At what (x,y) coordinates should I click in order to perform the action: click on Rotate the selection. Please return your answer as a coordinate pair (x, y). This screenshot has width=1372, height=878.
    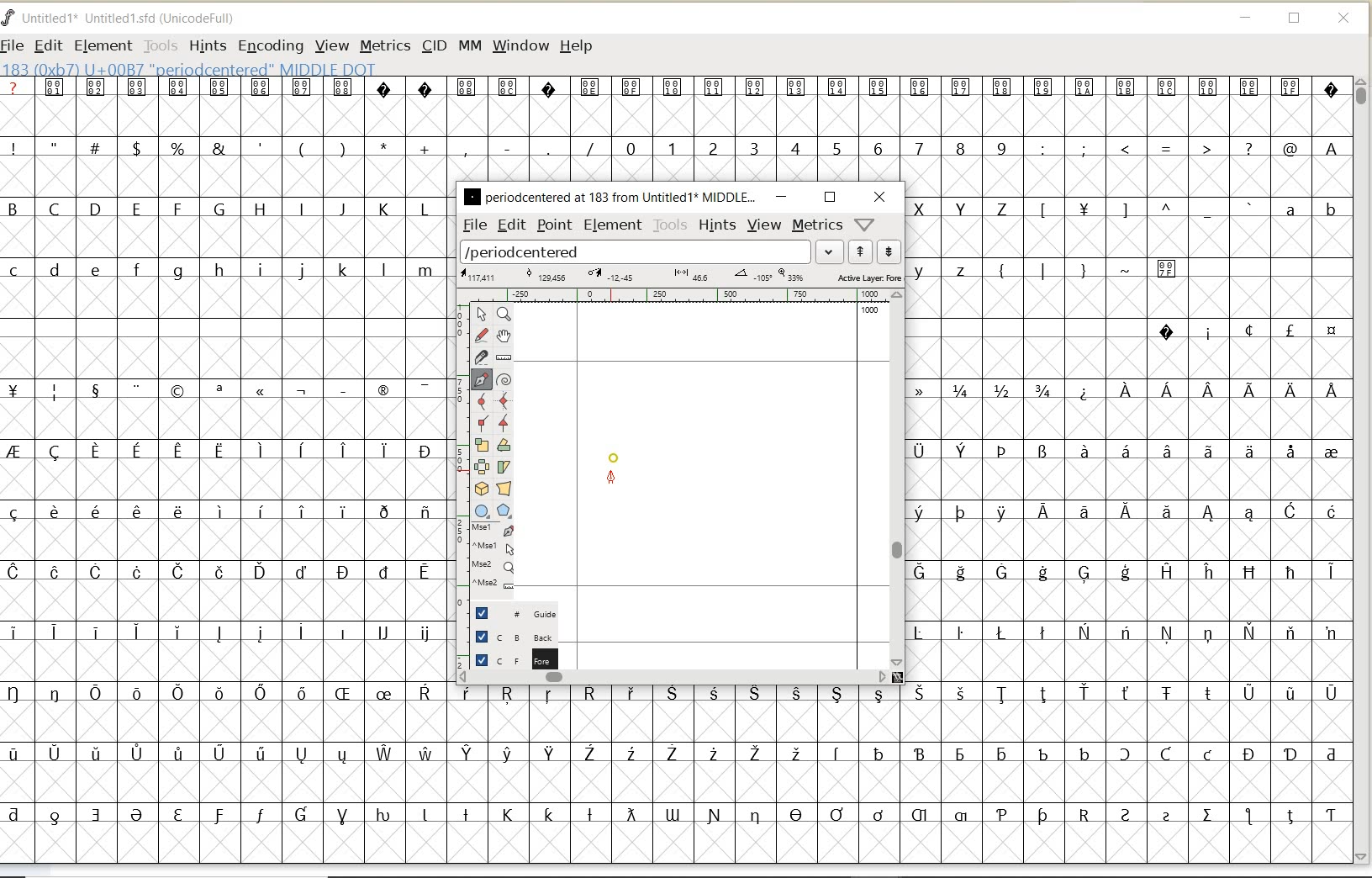
    Looking at the image, I should click on (504, 445).